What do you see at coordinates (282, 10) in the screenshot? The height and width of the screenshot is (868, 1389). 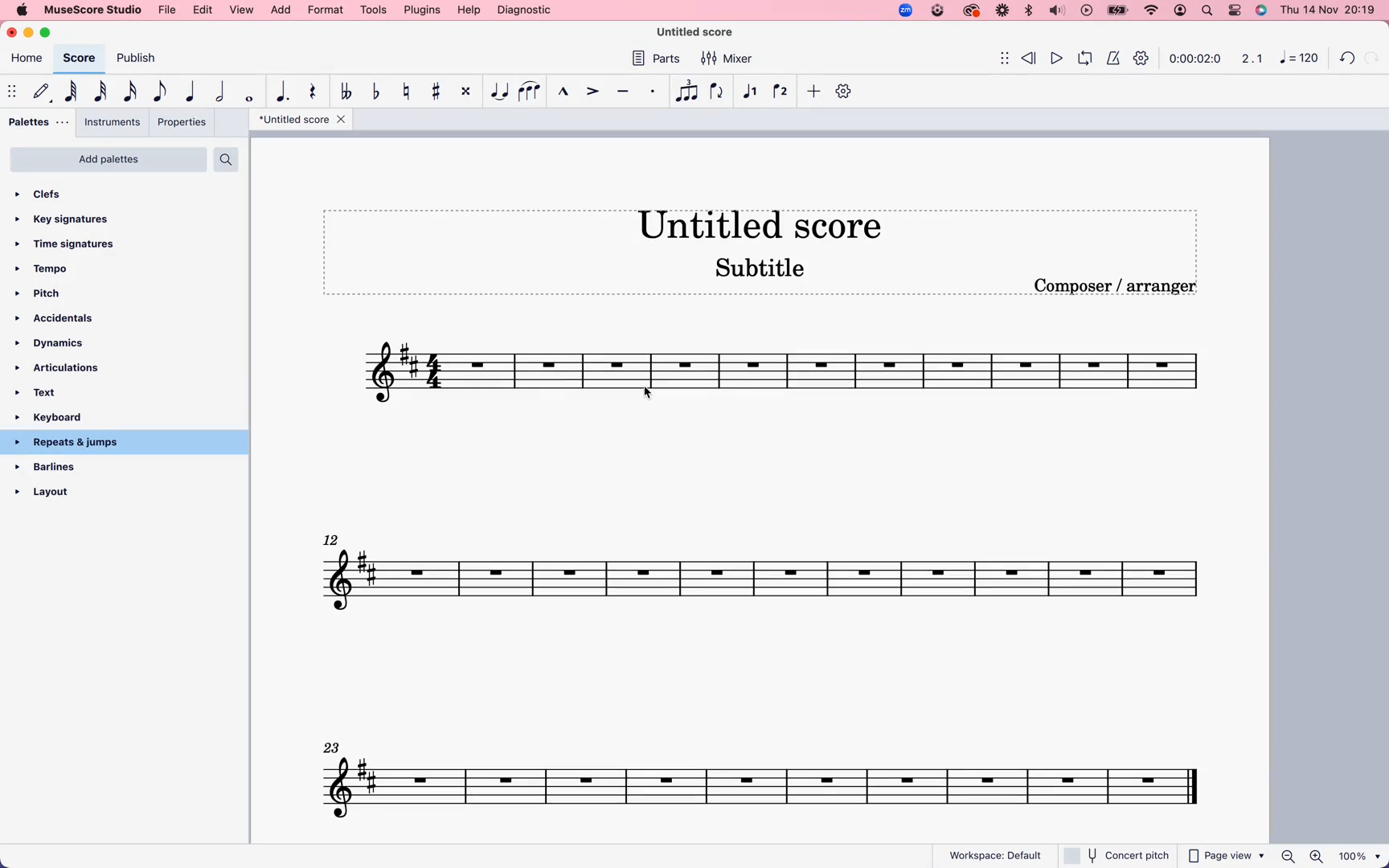 I see `add` at bounding box center [282, 10].